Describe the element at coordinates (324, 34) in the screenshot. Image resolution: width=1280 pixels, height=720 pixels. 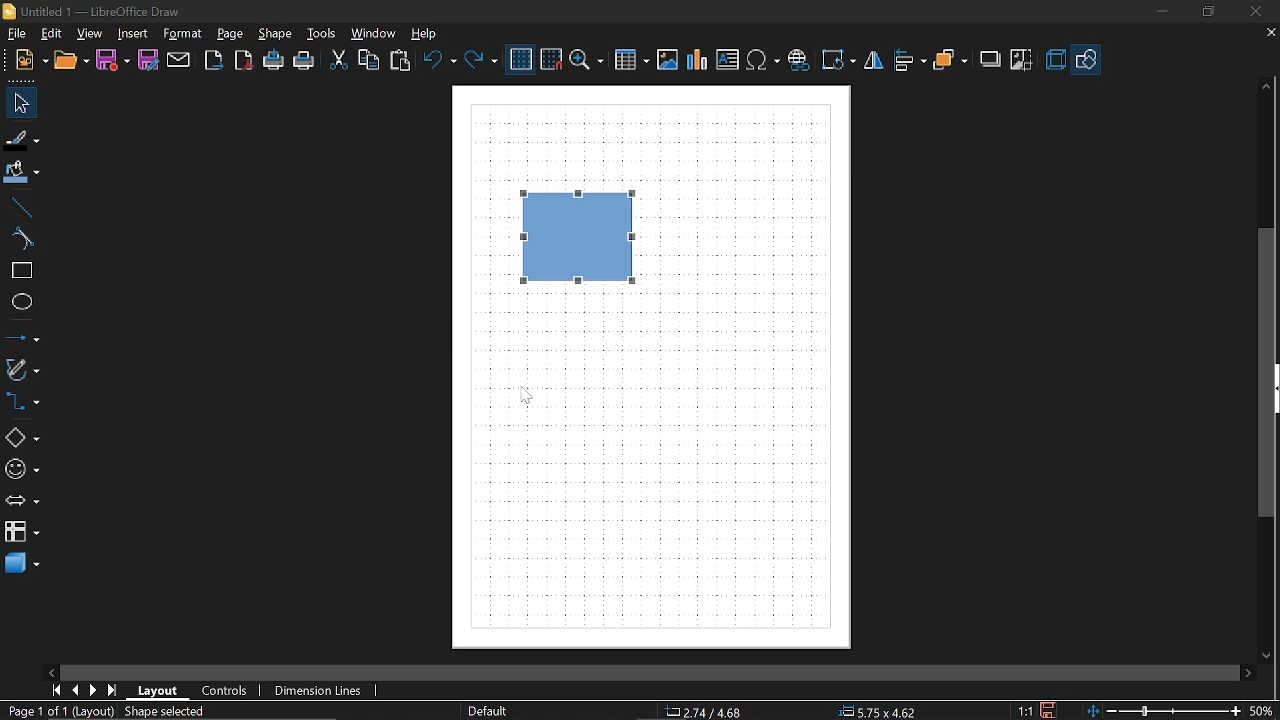
I see `Tools` at that location.